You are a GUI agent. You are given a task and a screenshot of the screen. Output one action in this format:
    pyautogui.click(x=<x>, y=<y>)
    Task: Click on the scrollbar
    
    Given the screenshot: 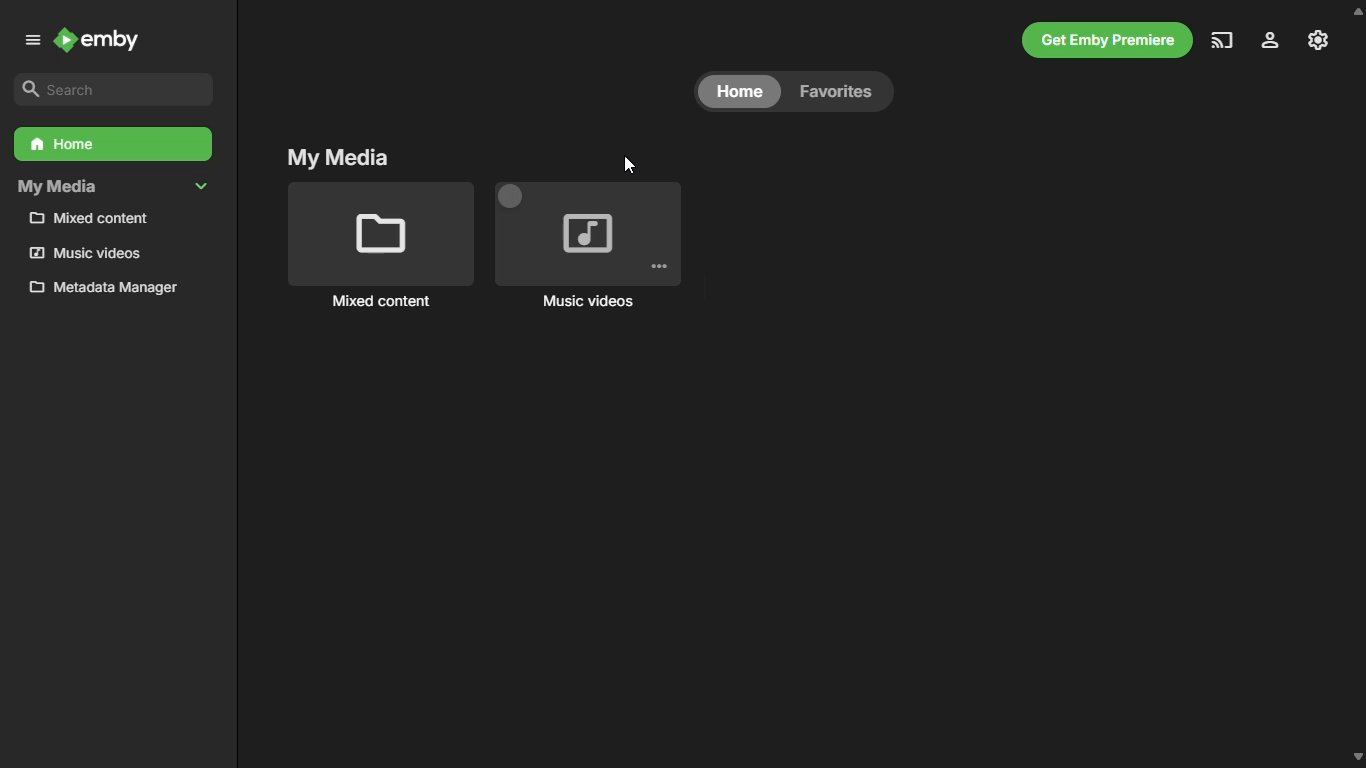 What is the action you would take?
    pyautogui.click(x=1355, y=383)
    